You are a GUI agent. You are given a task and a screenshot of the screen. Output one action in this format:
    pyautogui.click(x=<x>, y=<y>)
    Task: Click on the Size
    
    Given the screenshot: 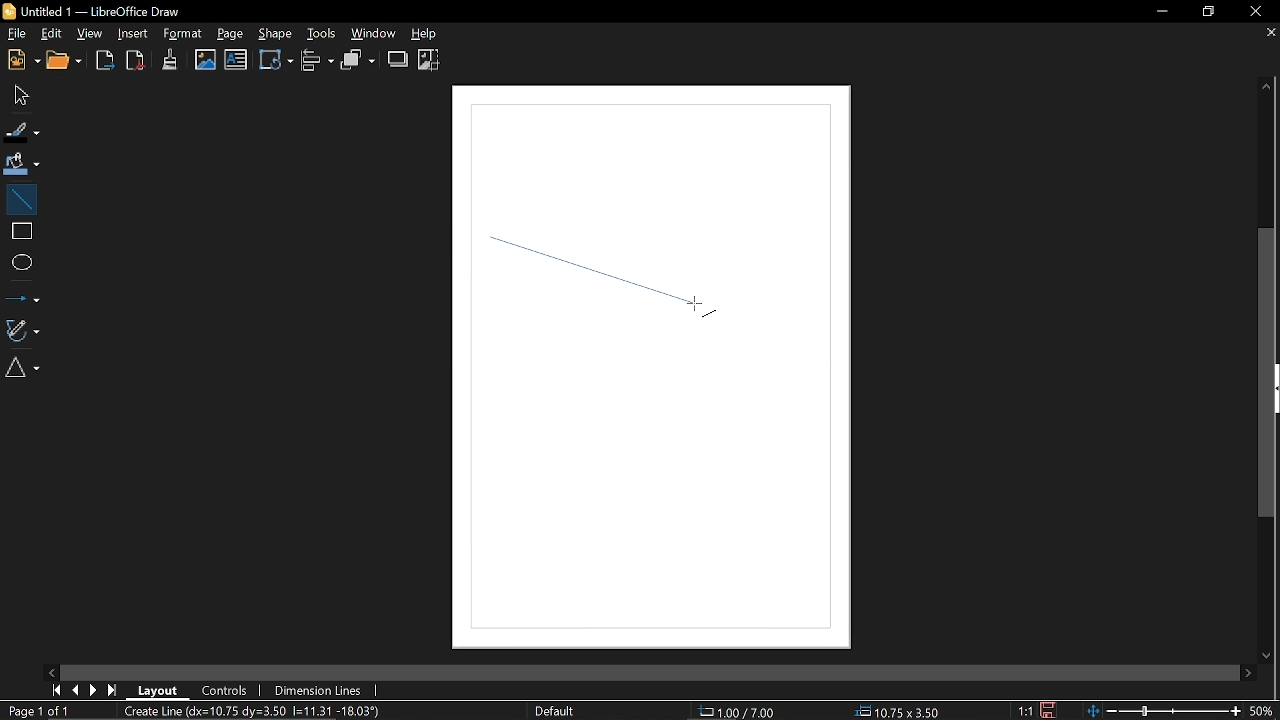 What is the action you would take?
    pyautogui.click(x=903, y=710)
    